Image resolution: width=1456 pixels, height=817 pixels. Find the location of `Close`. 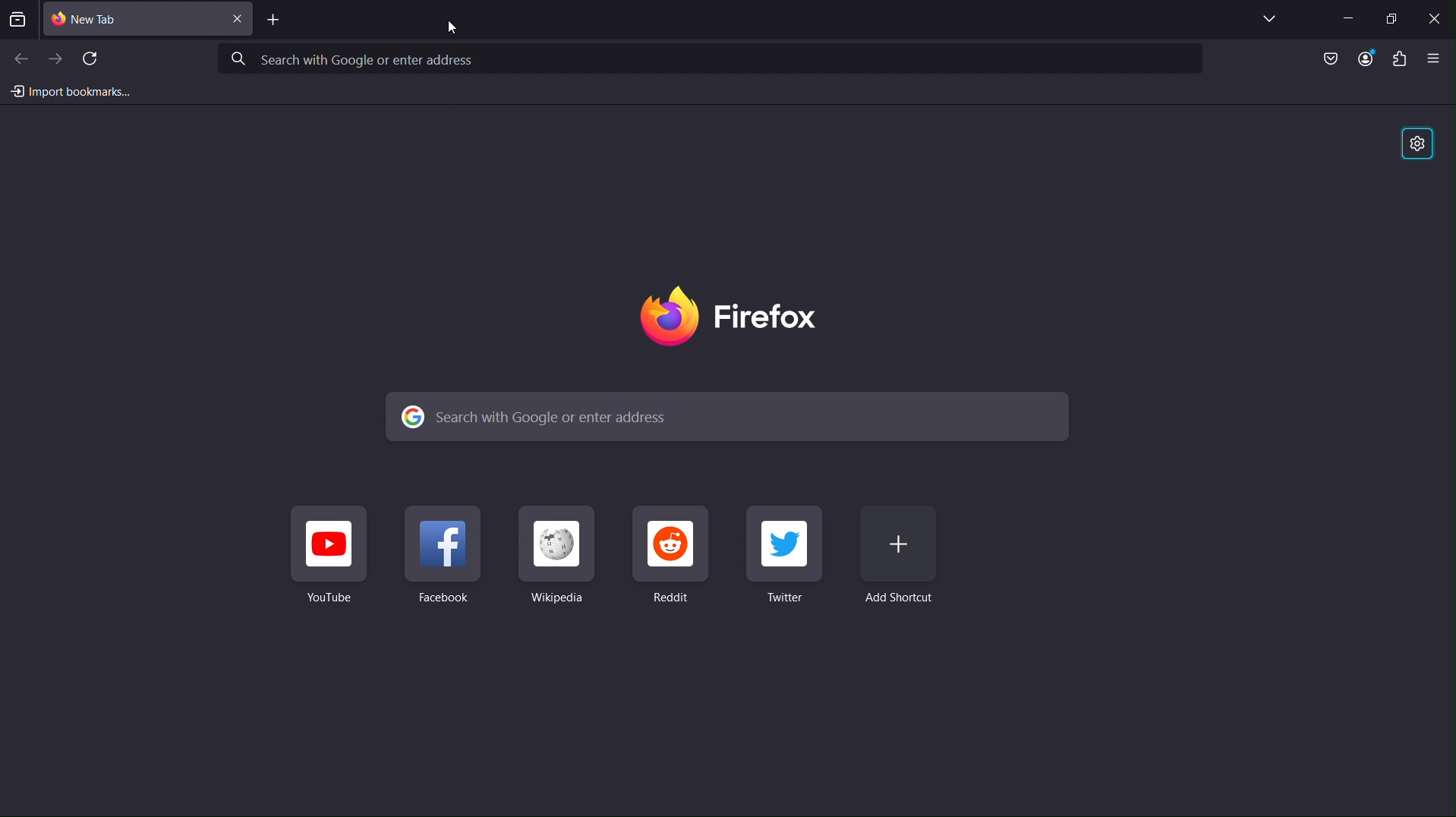

Close is located at coordinates (1433, 17).